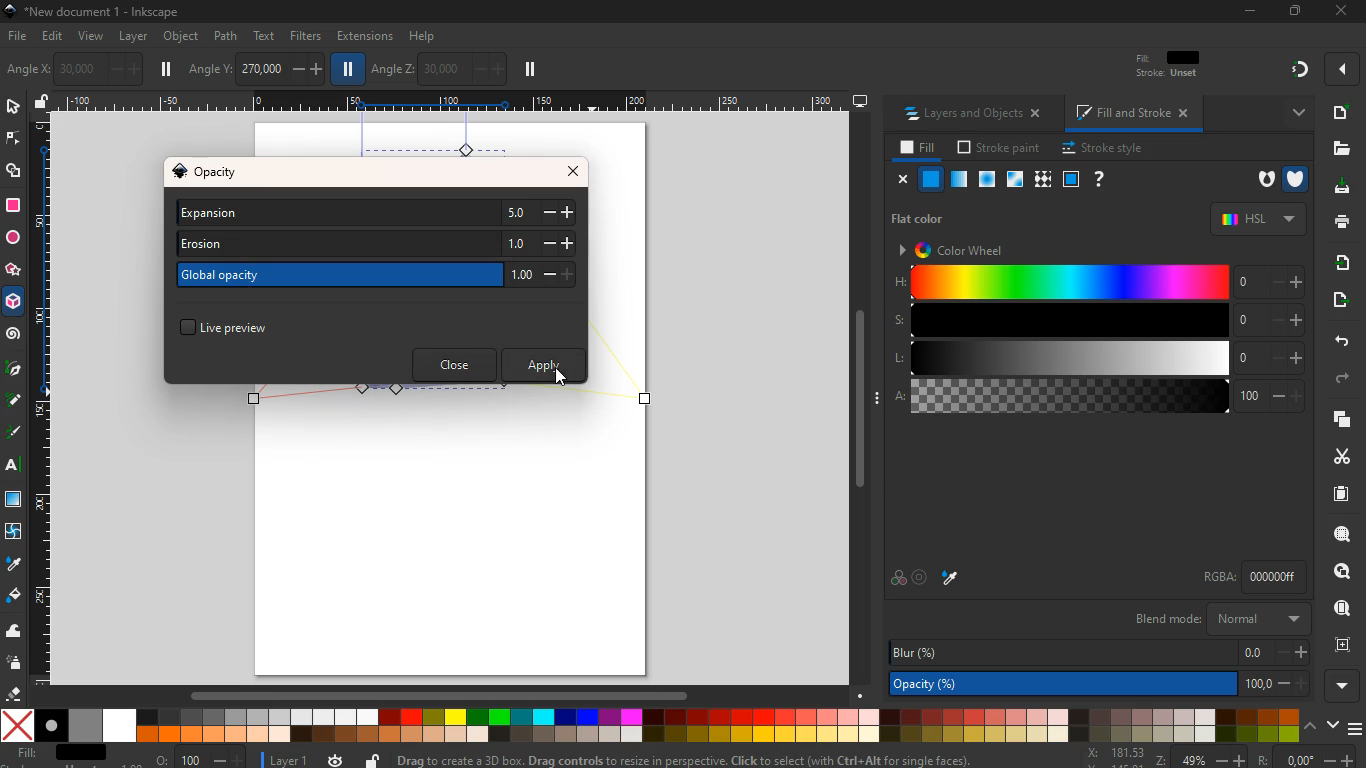 This screenshot has width=1366, height=768. What do you see at coordinates (14, 271) in the screenshot?
I see `star` at bounding box center [14, 271].